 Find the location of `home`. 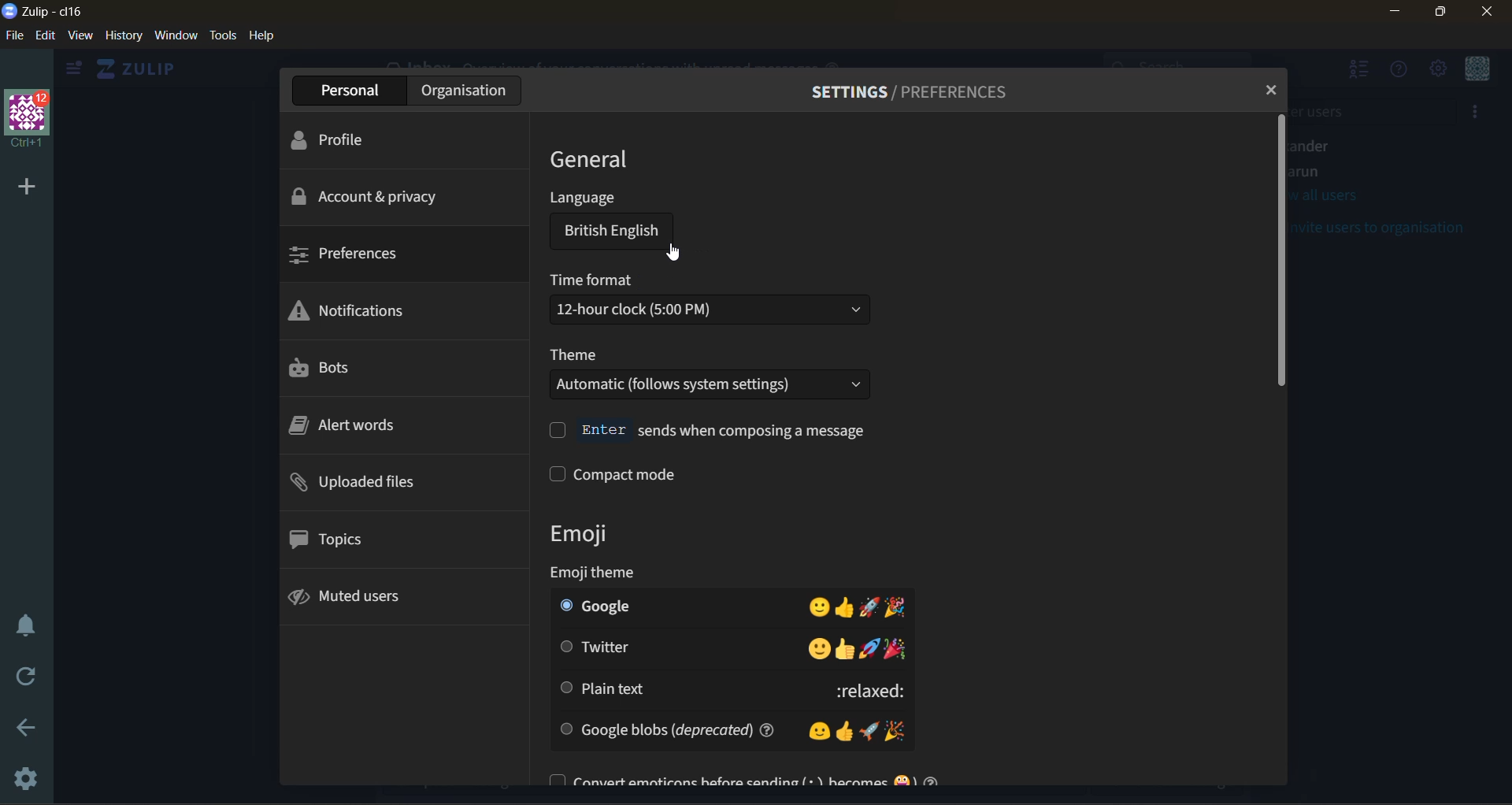

home is located at coordinates (145, 69).